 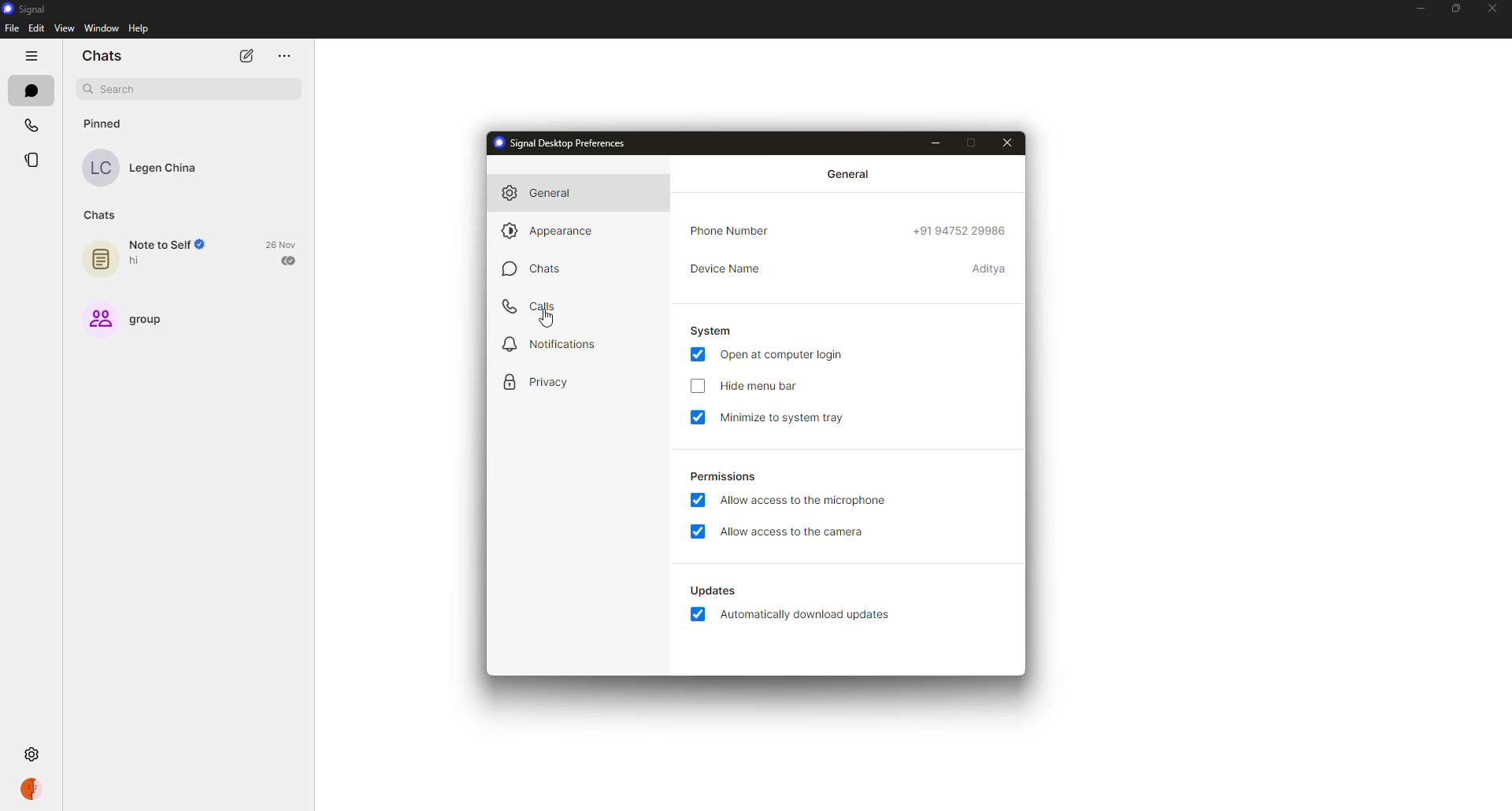 What do you see at coordinates (728, 269) in the screenshot?
I see `device name` at bounding box center [728, 269].